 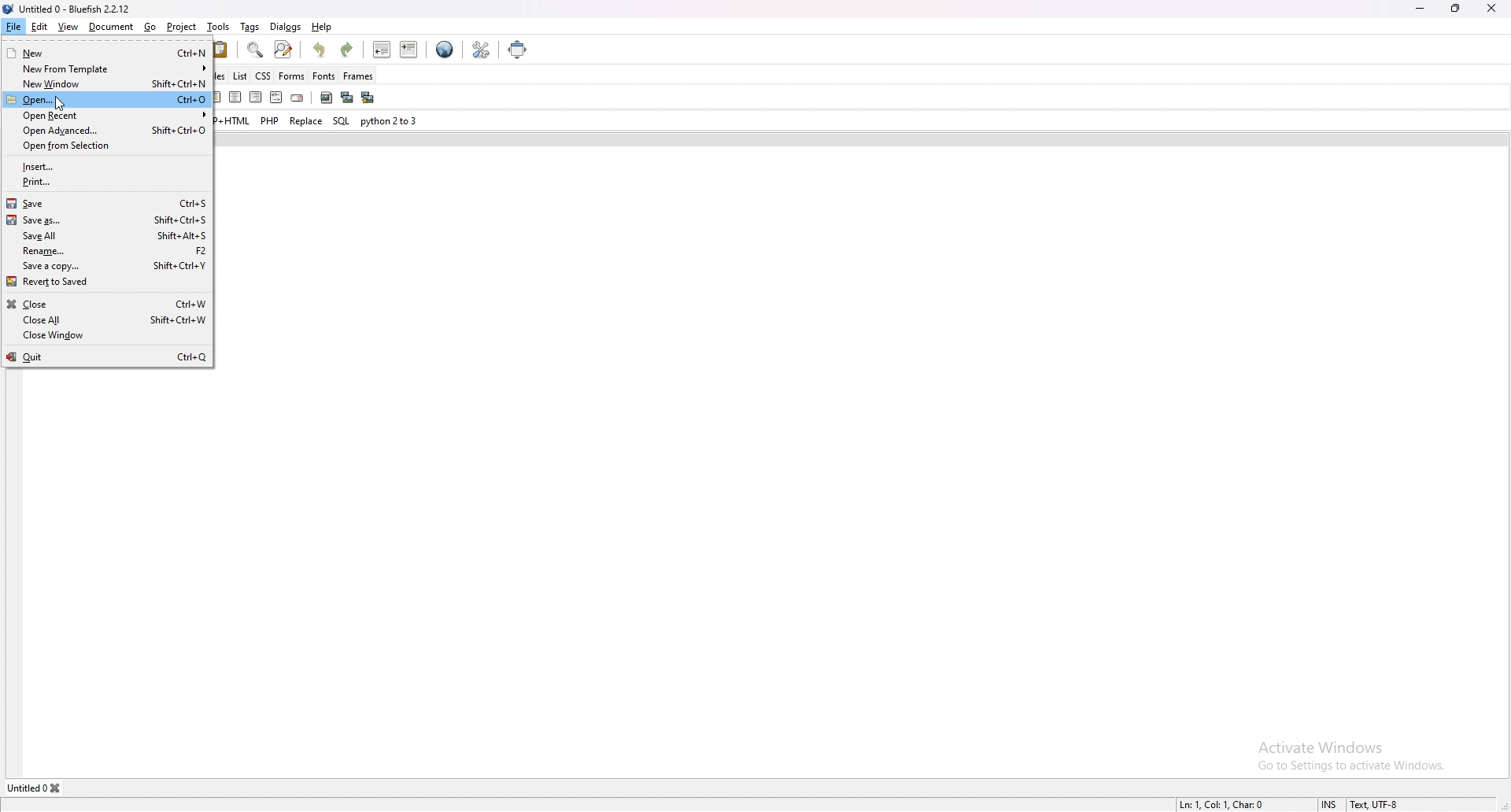 I want to click on print, so click(x=58, y=183).